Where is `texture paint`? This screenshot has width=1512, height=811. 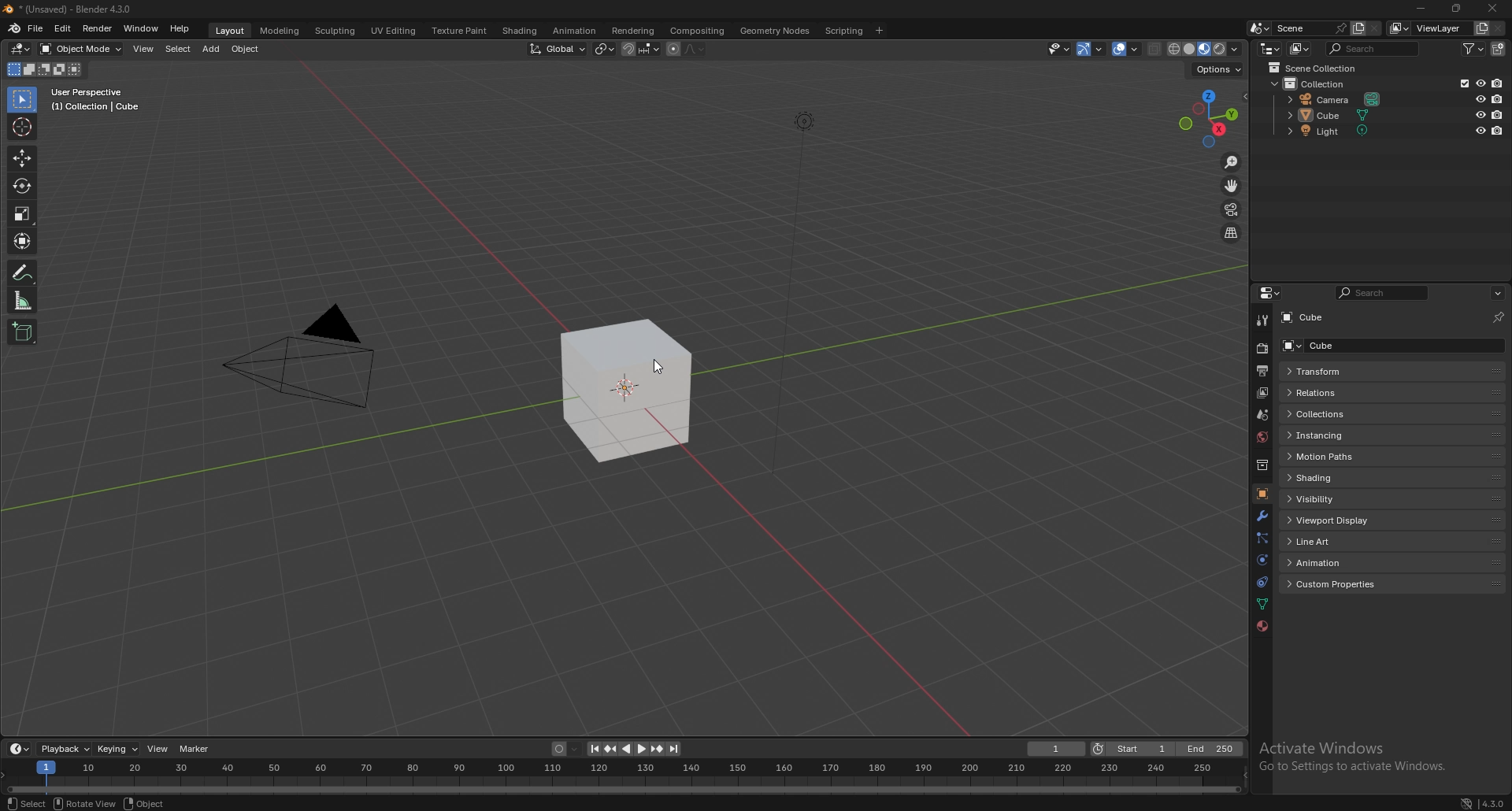
texture paint is located at coordinates (459, 31).